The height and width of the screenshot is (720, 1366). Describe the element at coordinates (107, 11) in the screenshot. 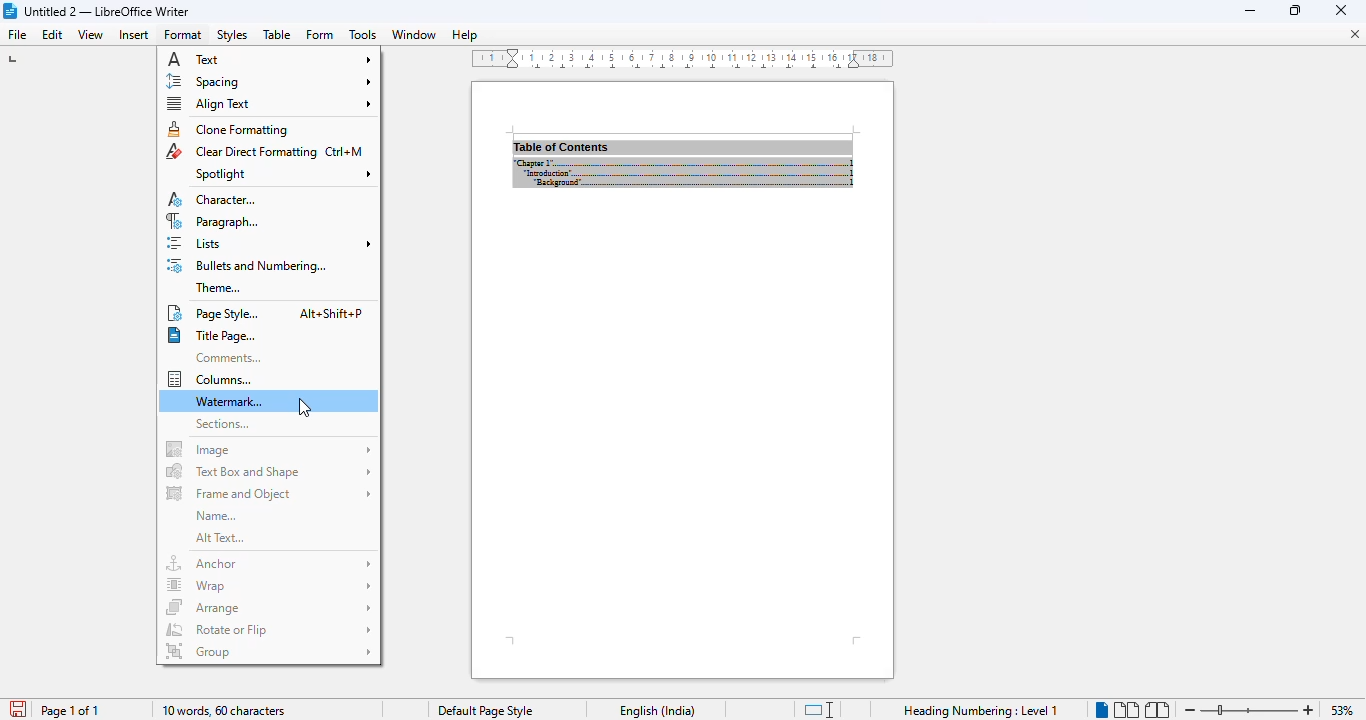

I see `title` at that location.